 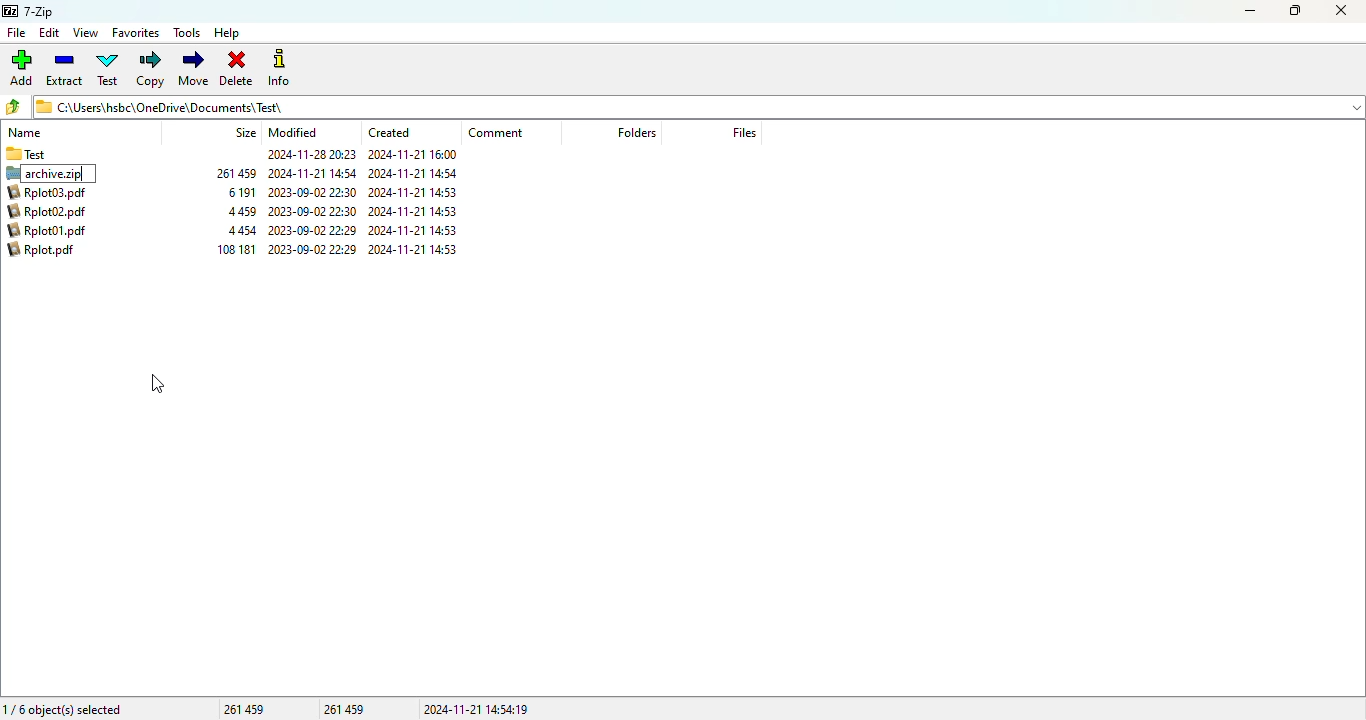 I want to click on 106 181, so click(x=238, y=250).